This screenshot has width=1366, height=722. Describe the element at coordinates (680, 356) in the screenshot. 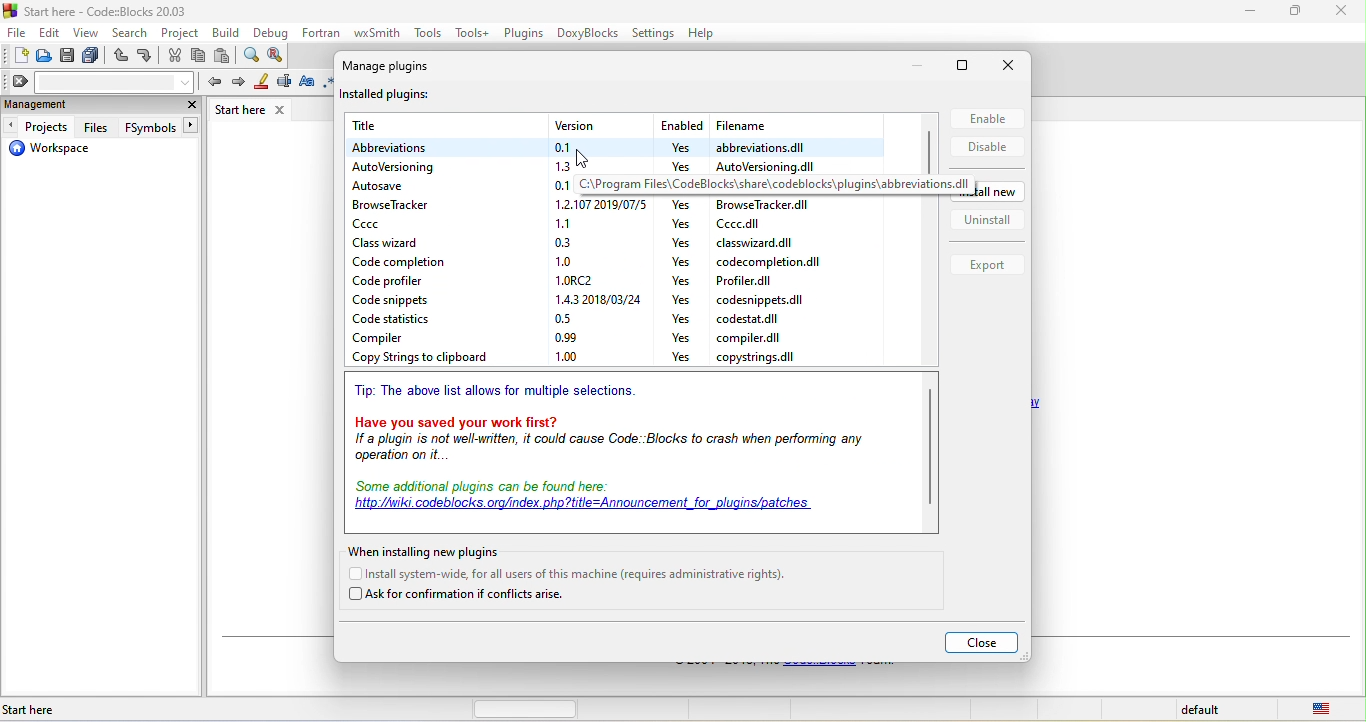

I see `yes` at that location.